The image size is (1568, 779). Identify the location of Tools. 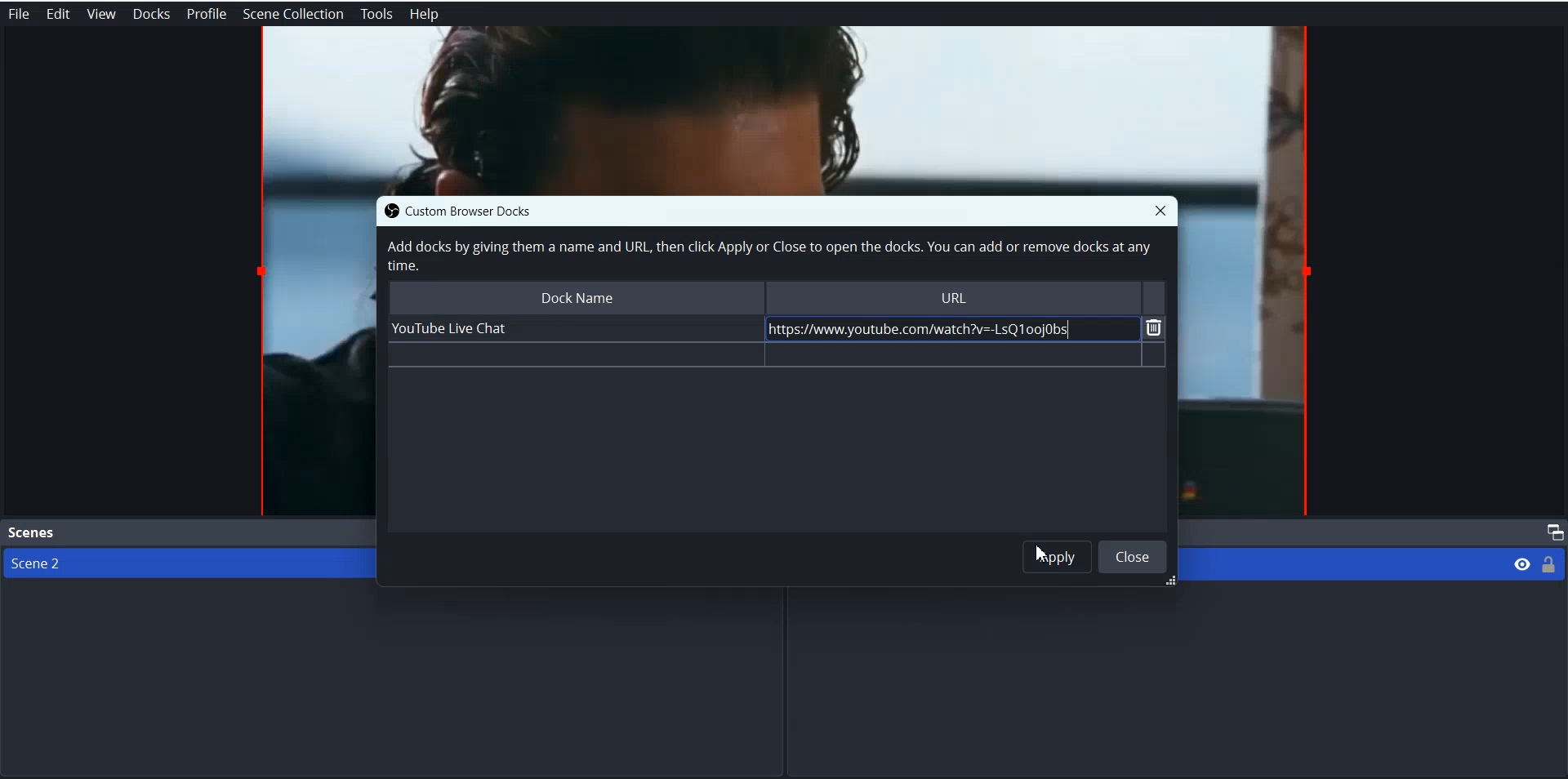
(376, 15).